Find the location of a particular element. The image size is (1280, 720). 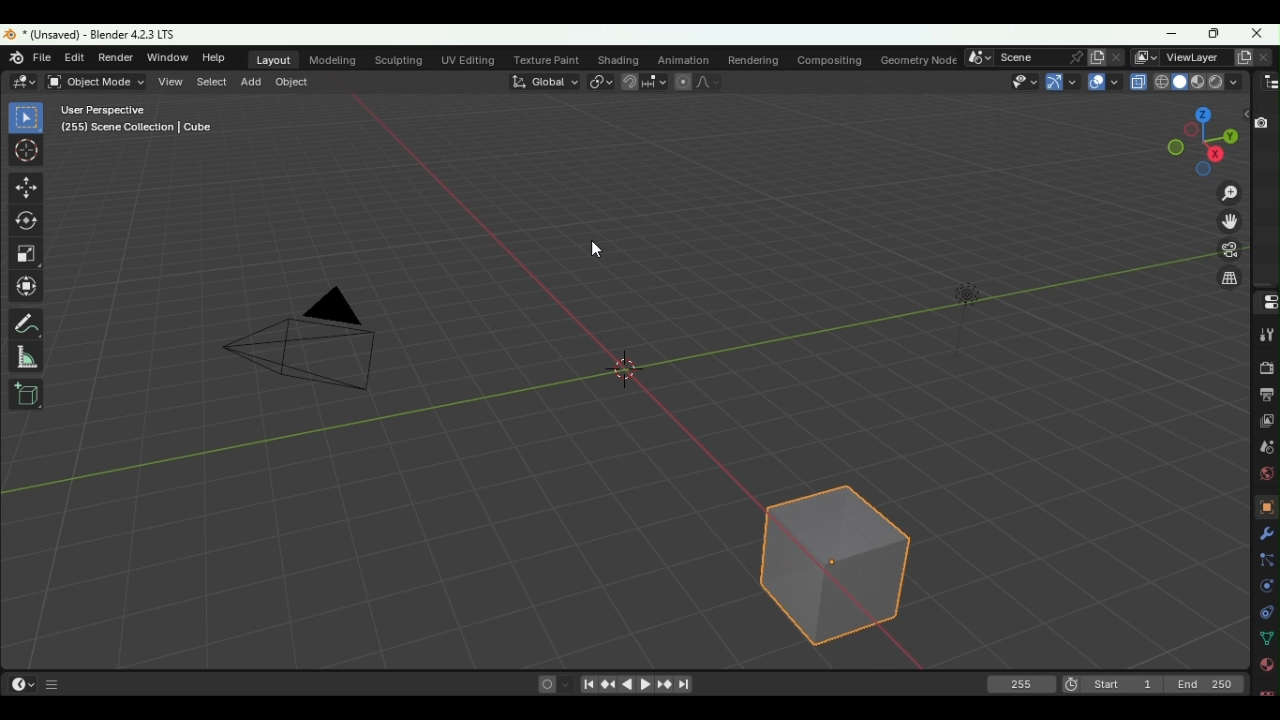

Proportional editing objects is located at coordinates (680, 81).